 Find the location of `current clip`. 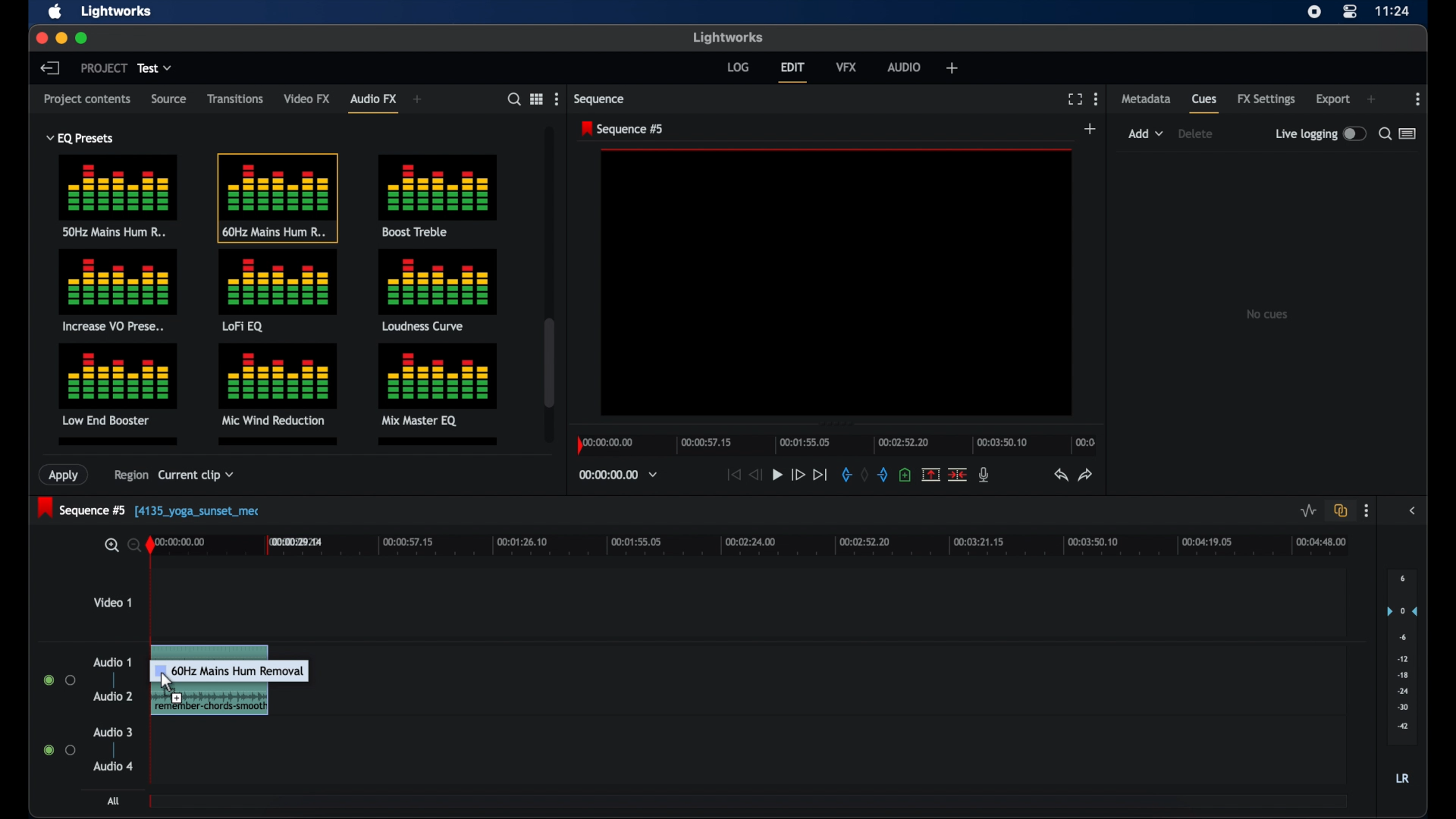

current clip is located at coordinates (196, 478).